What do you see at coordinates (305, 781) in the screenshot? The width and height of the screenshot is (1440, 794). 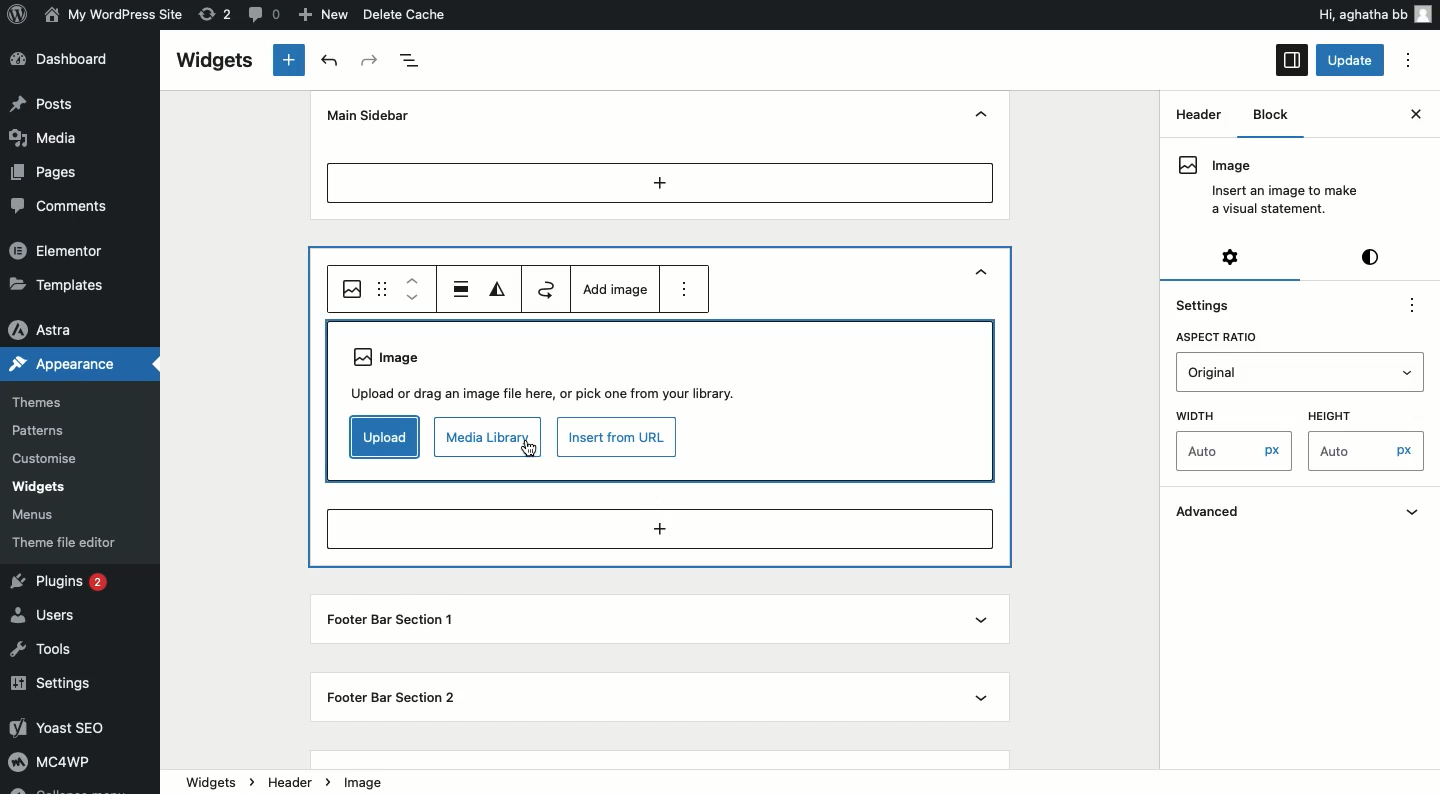 I see `Header` at bounding box center [305, 781].